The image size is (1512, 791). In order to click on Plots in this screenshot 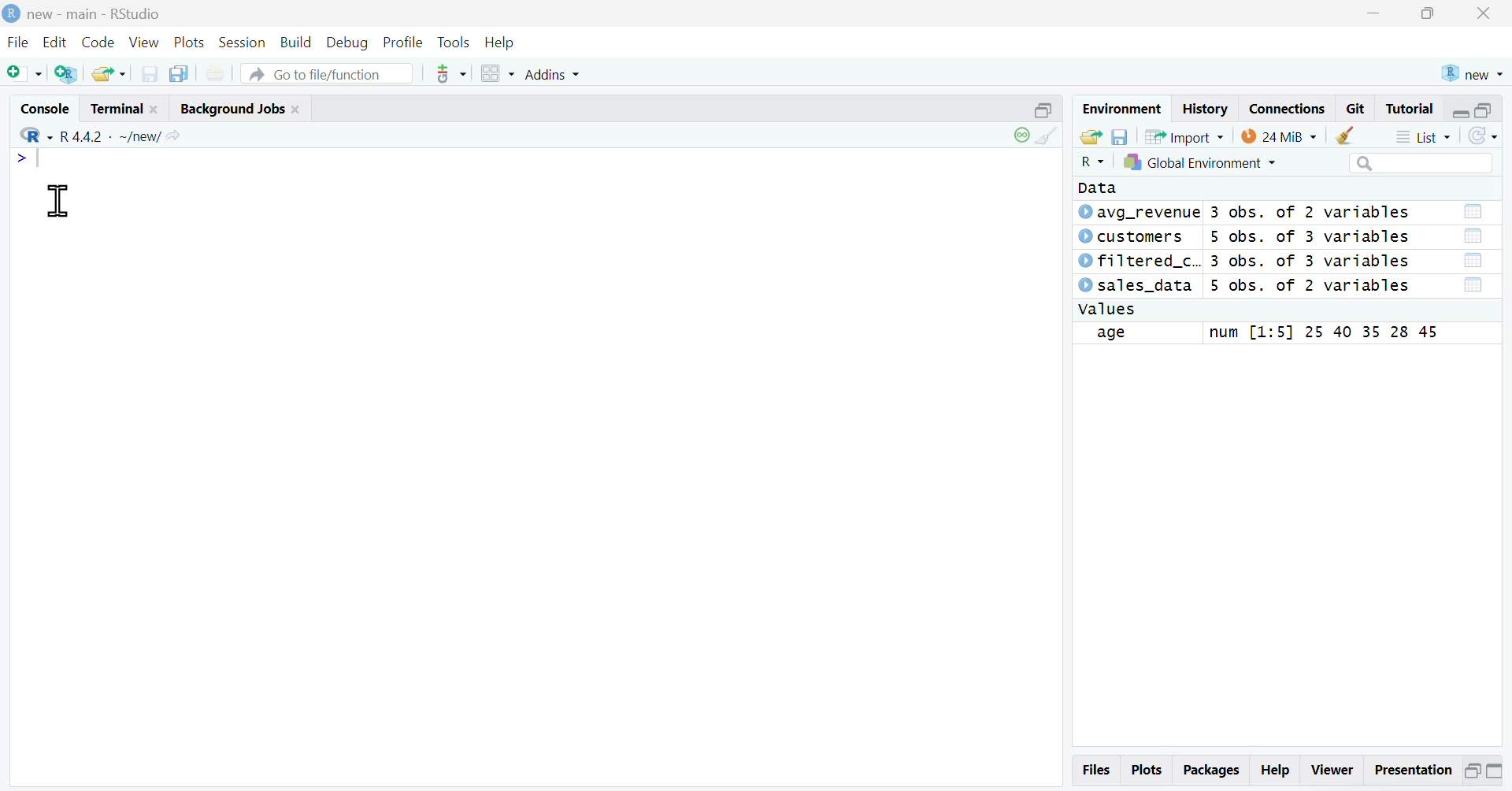, I will do `click(1147, 771)`.